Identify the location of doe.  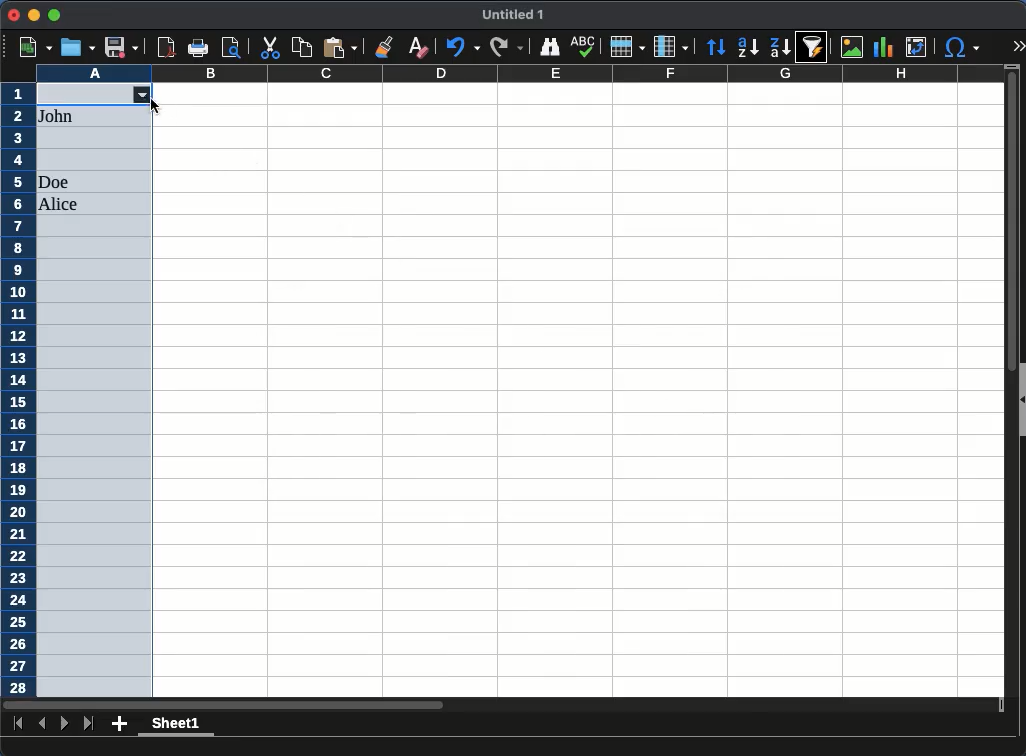
(54, 182).